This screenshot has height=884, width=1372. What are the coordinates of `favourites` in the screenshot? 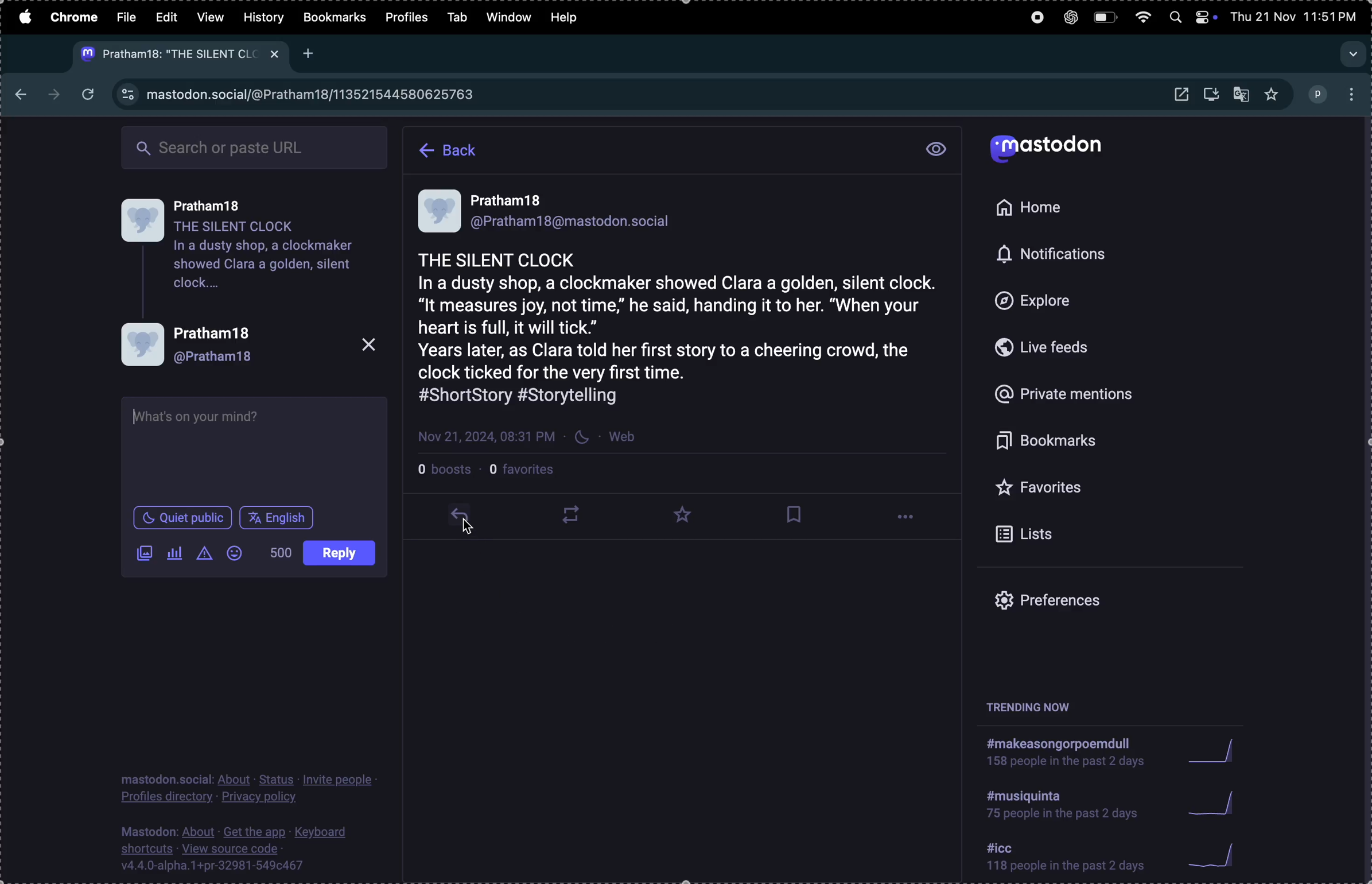 It's located at (1084, 489).